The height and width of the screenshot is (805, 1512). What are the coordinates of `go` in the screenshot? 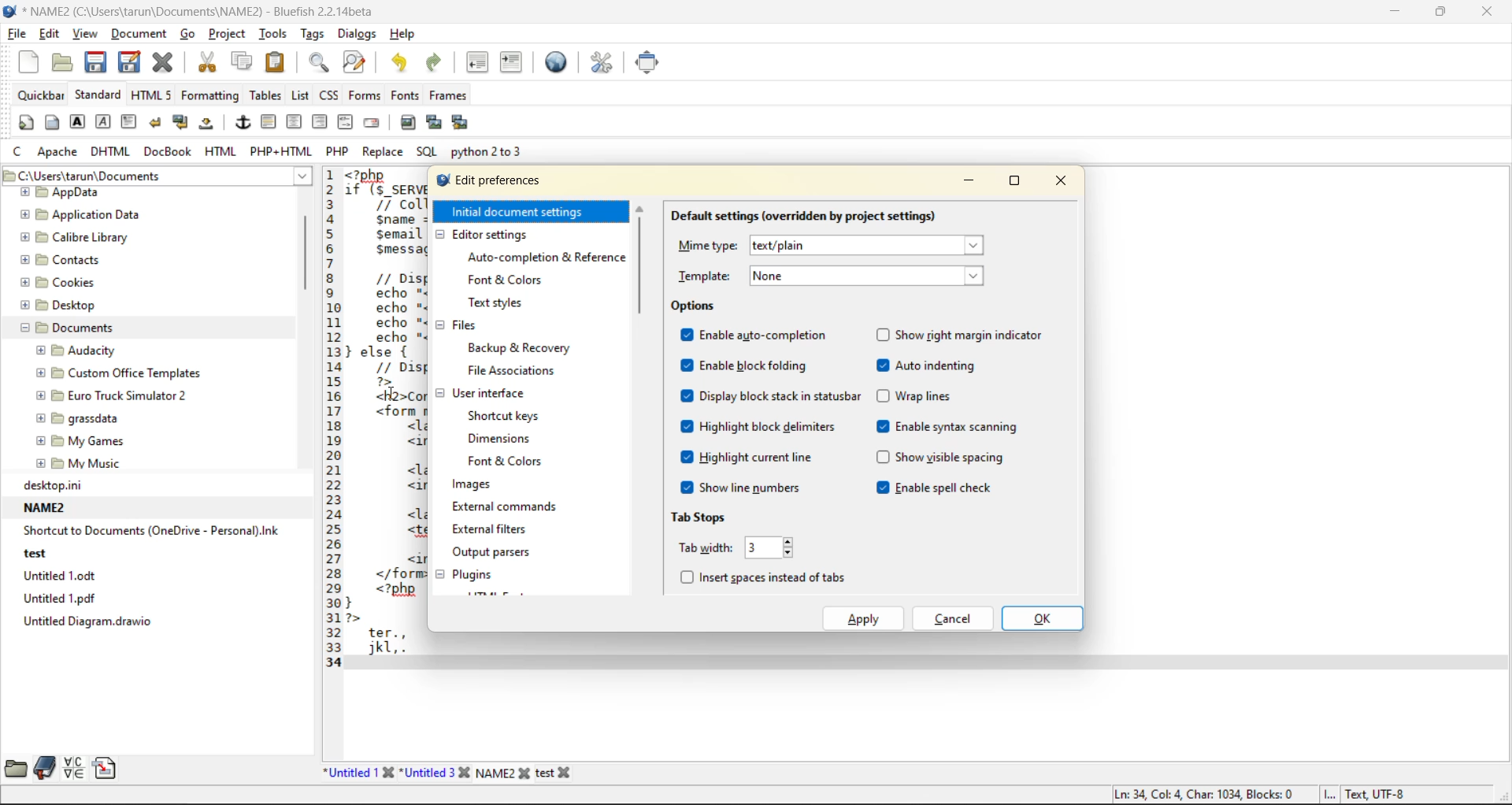 It's located at (189, 35).